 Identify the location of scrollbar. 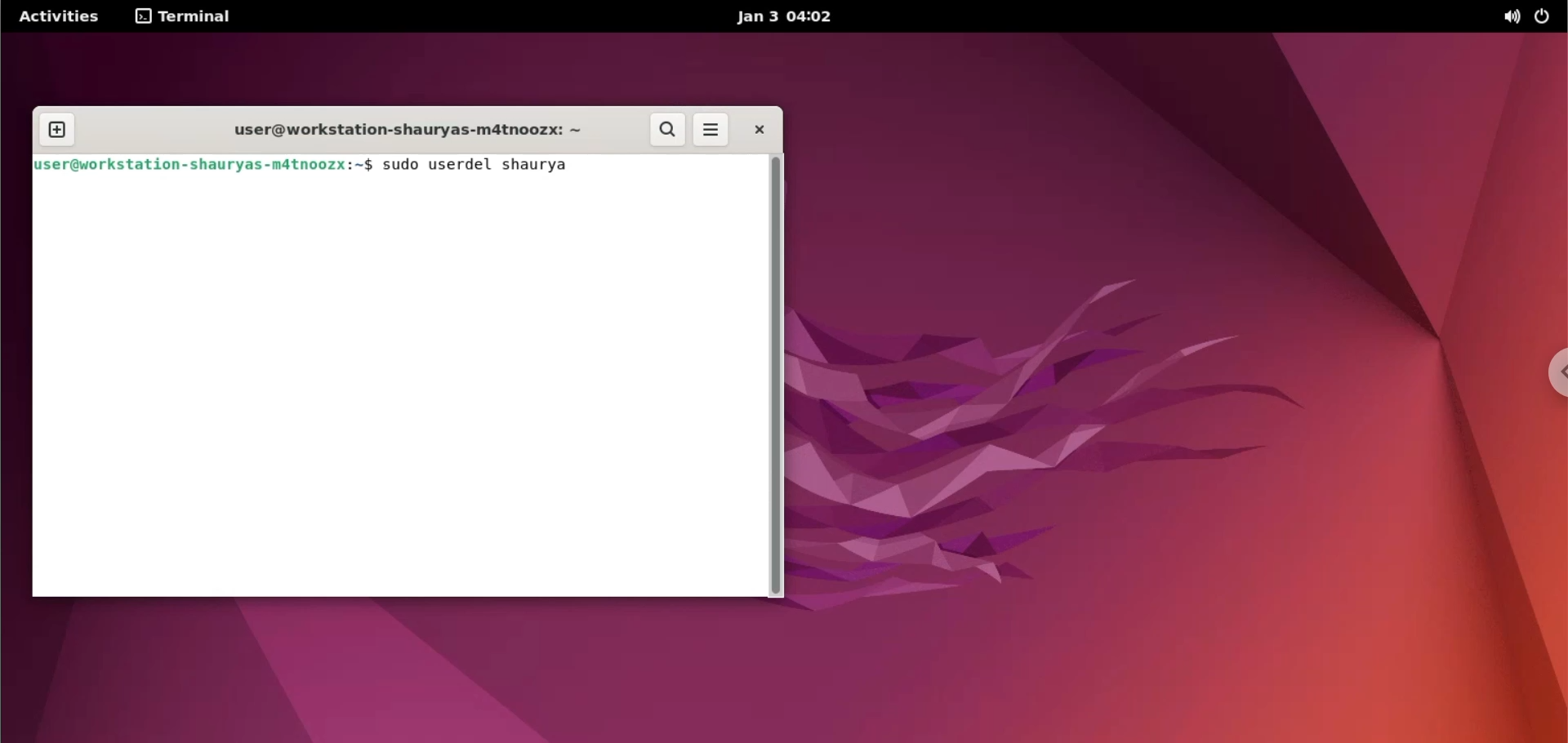
(775, 376).